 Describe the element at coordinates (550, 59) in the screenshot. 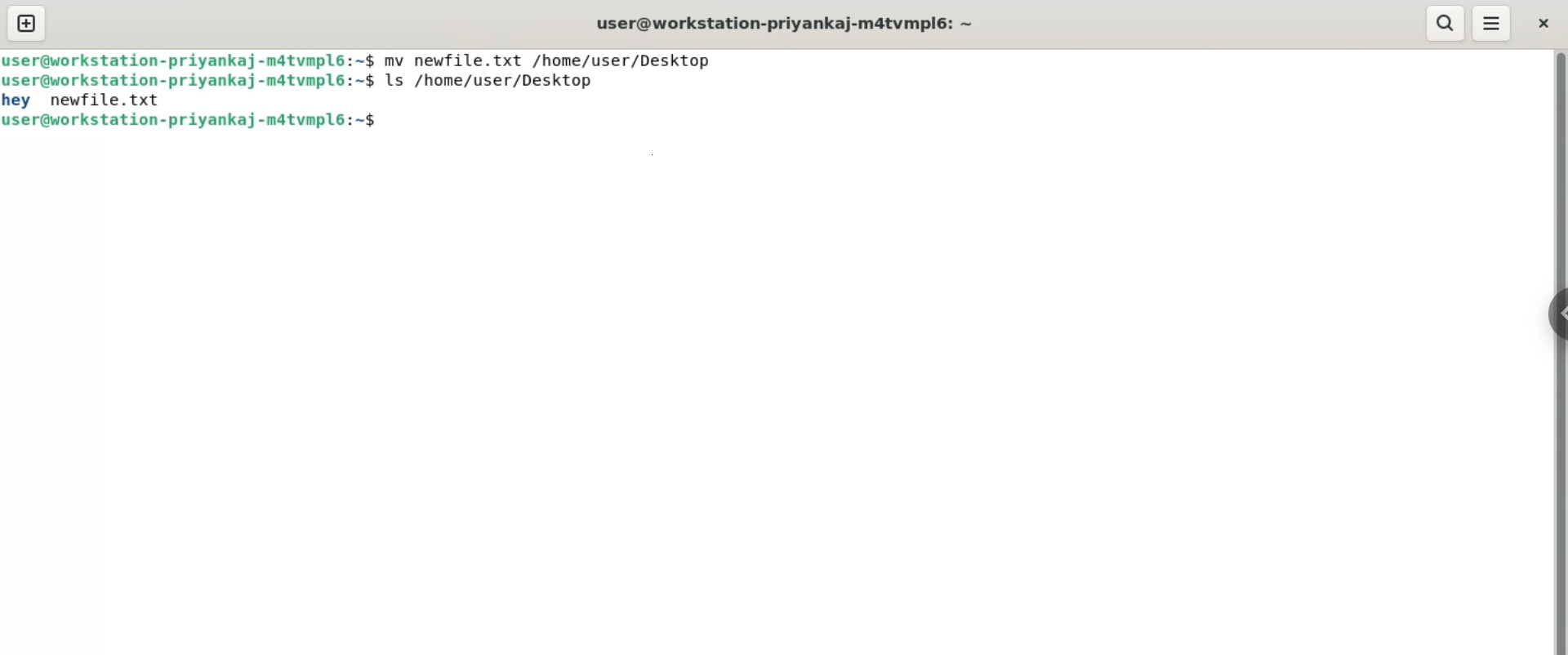

I see `mv newfile.txt /home/user/Desktop` at that location.